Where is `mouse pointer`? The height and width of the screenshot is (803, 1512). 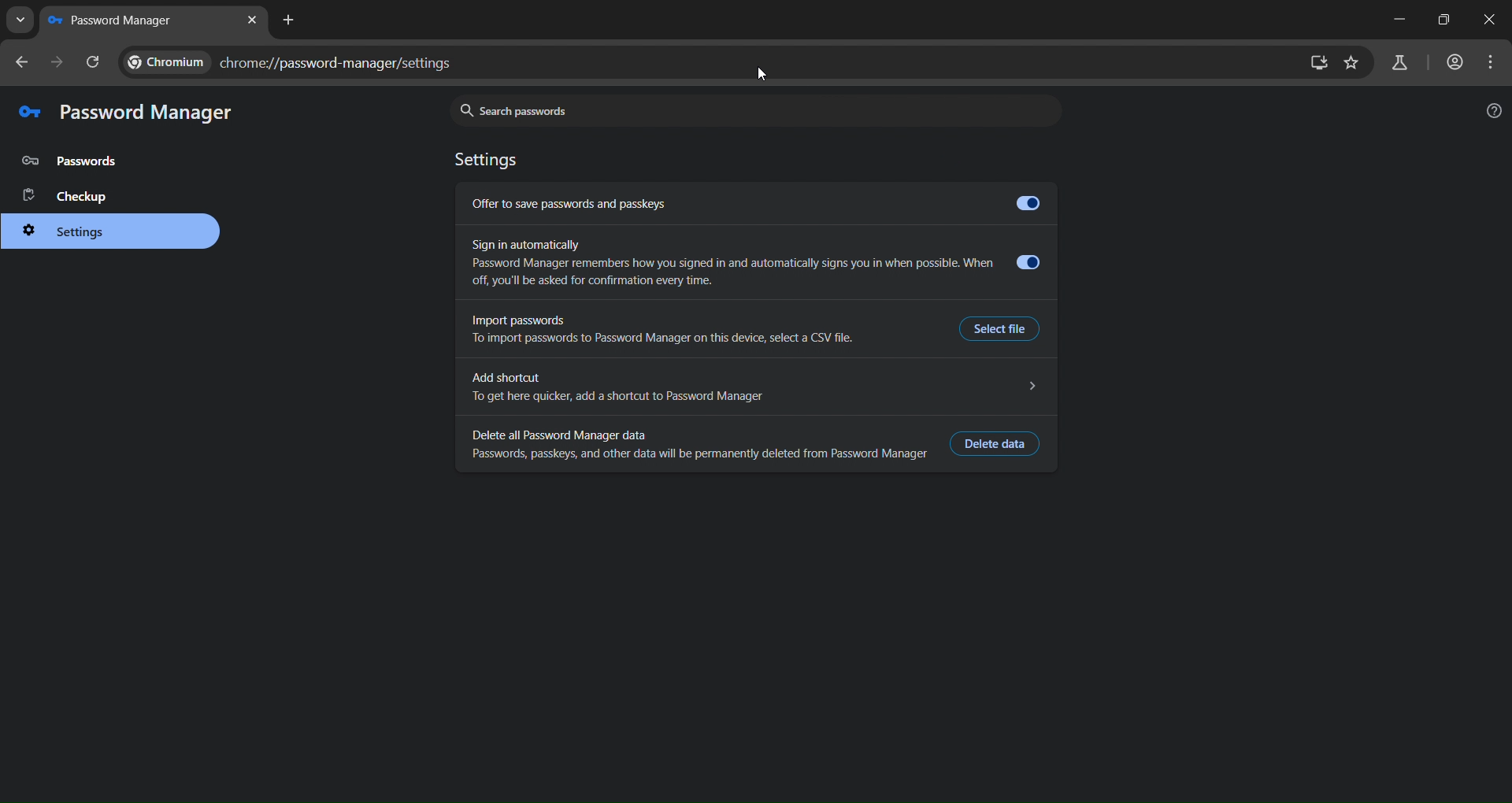
mouse pointer is located at coordinates (752, 76).